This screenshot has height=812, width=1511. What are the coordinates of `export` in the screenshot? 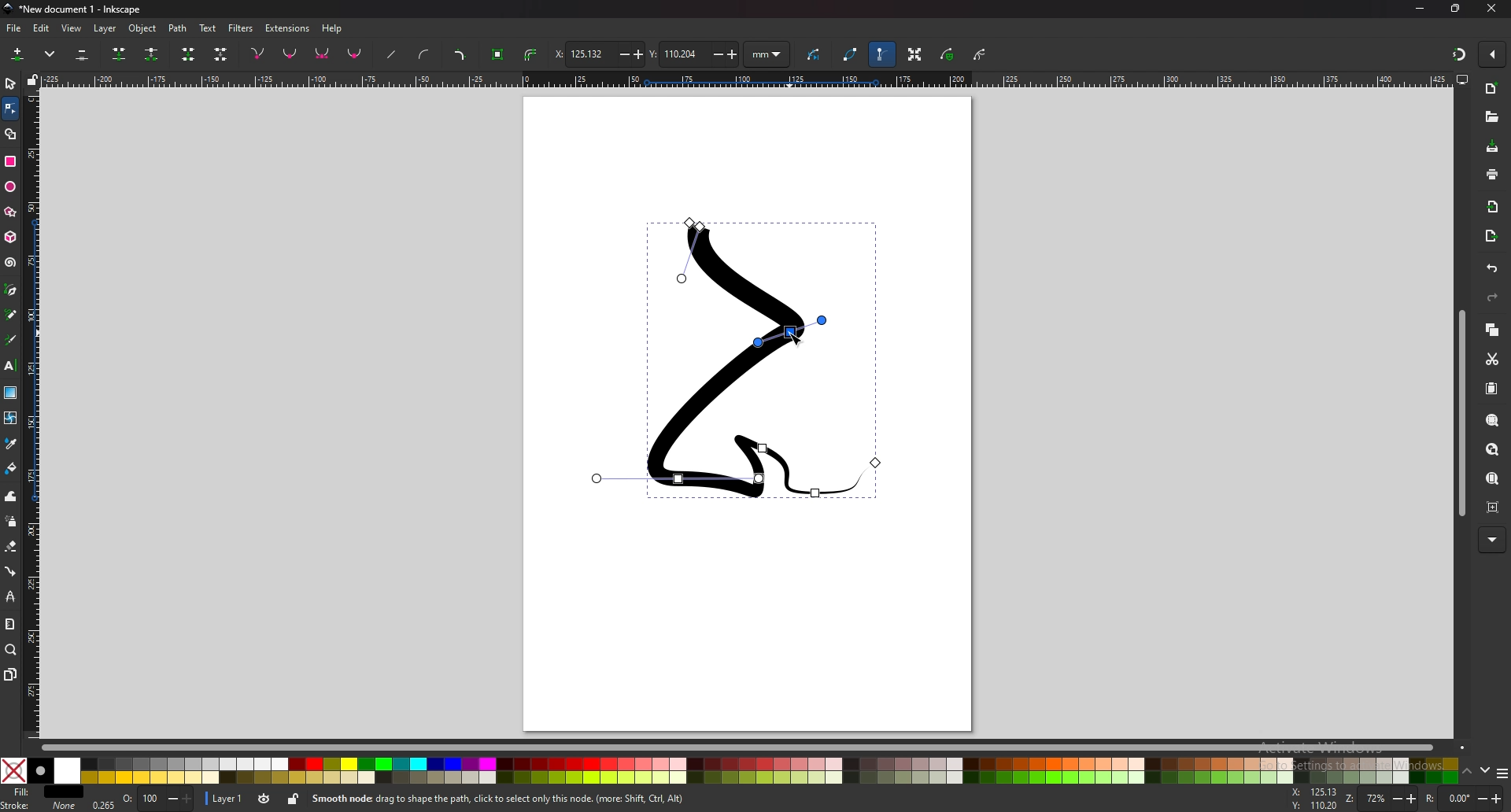 It's located at (1492, 235).